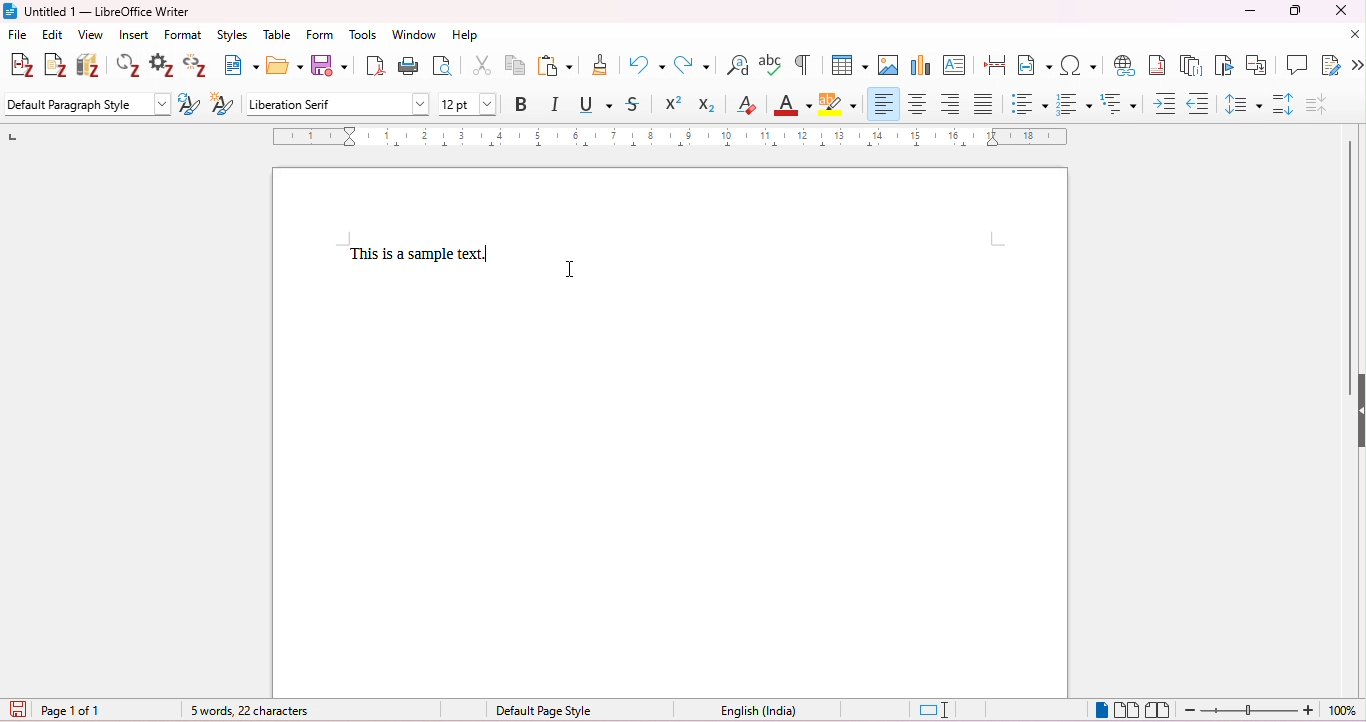  Describe the element at coordinates (675, 137) in the screenshot. I see `ruler` at that location.